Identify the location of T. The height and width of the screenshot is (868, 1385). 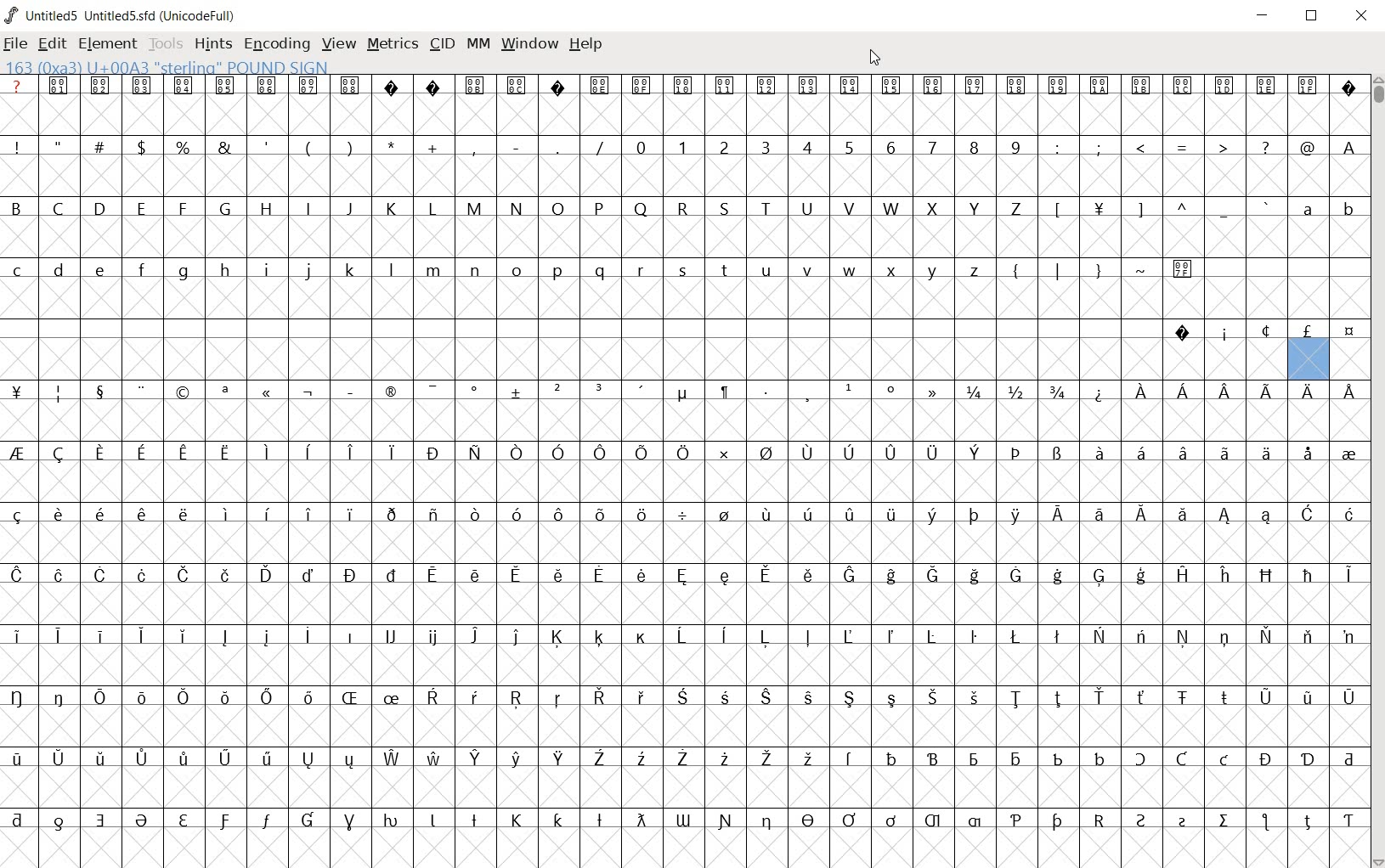
(766, 207).